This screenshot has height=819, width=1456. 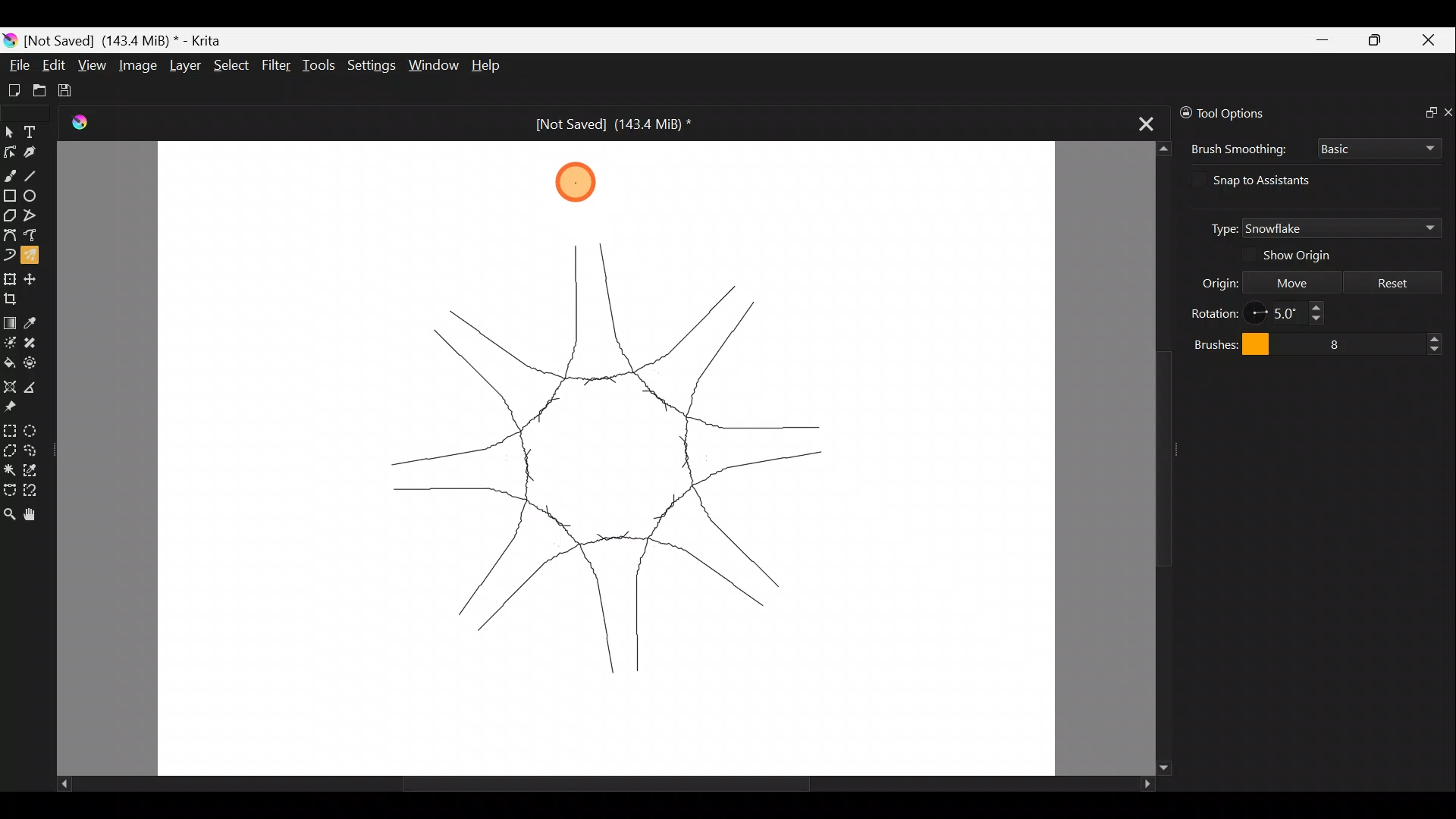 I want to click on Tools, so click(x=319, y=64).